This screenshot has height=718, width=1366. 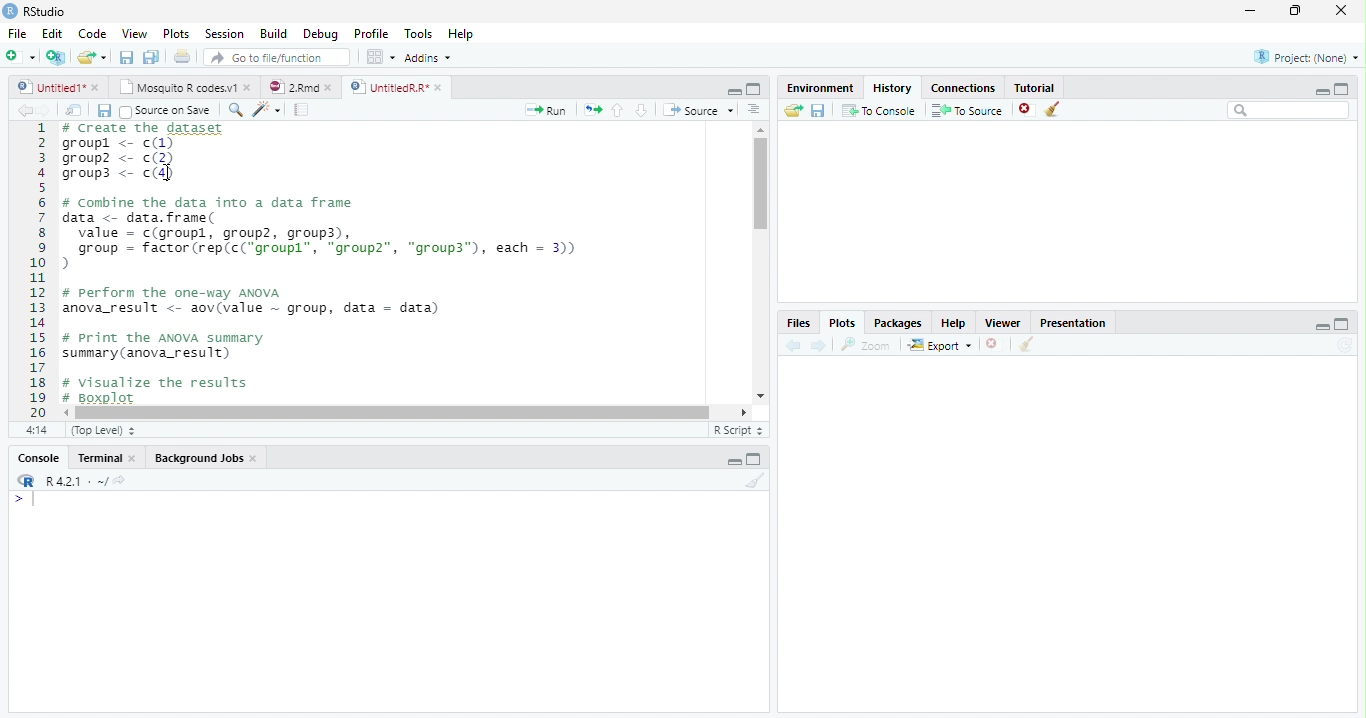 What do you see at coordinates (37, 268) in the screenshot?
I see `1` at bounding box center [37, 268].